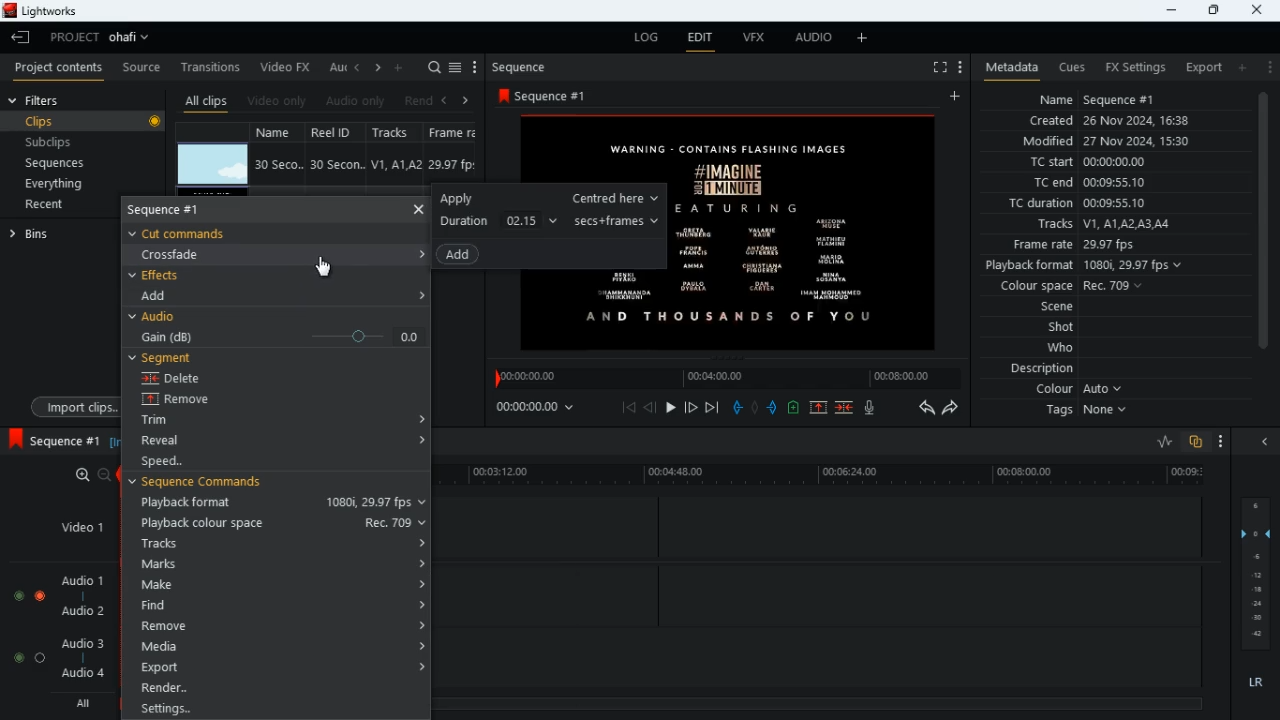 The width and height of the screenshot is (1280, 720). I want to click on mic, so click(871, 407).